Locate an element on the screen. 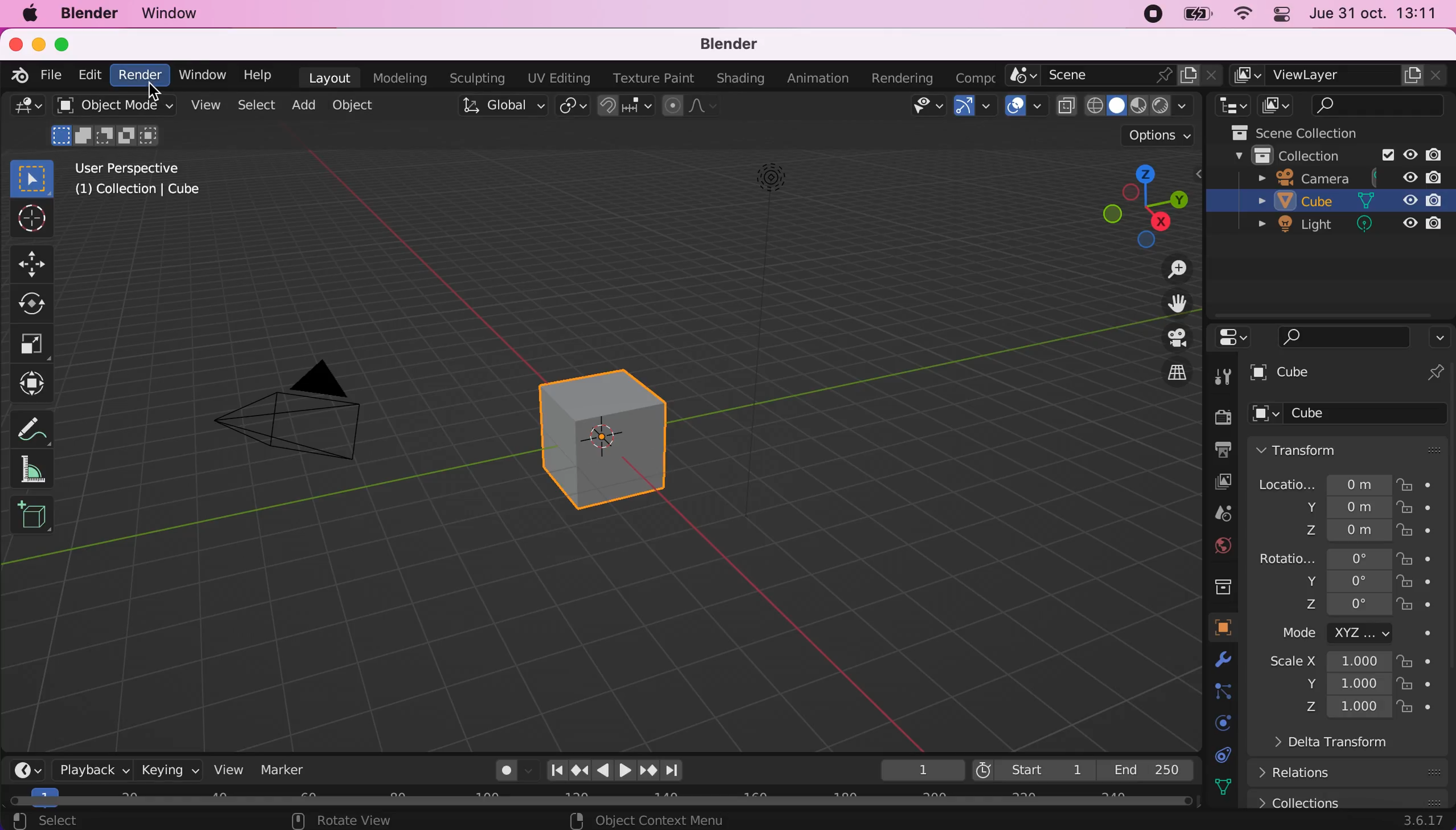 The height and width of the screenshot is (830, 1456). cube options is located at coordinates (1354, 414).